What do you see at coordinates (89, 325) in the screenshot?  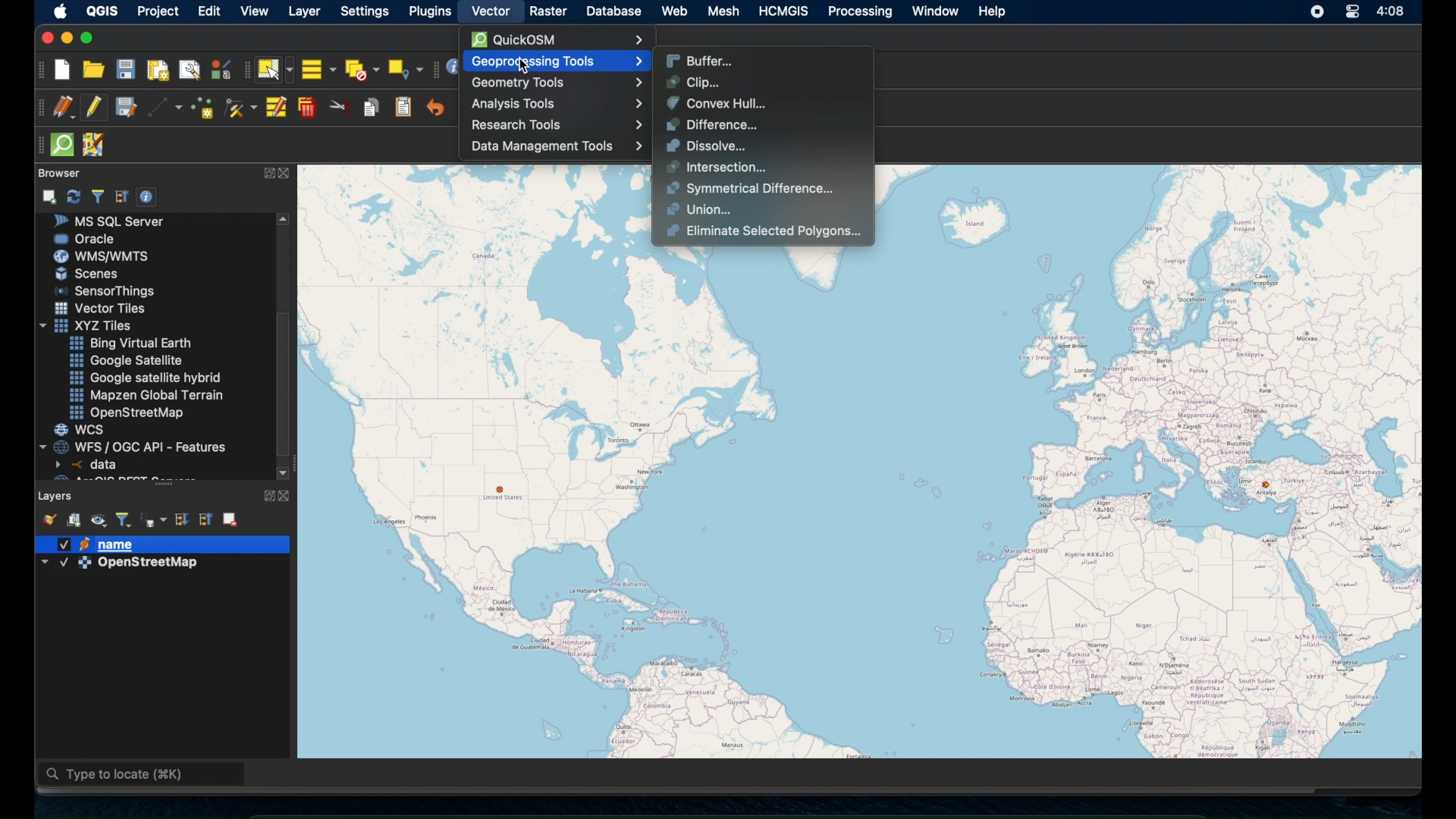 I see `xyz tiles menu` at bounding box center [89, 325].